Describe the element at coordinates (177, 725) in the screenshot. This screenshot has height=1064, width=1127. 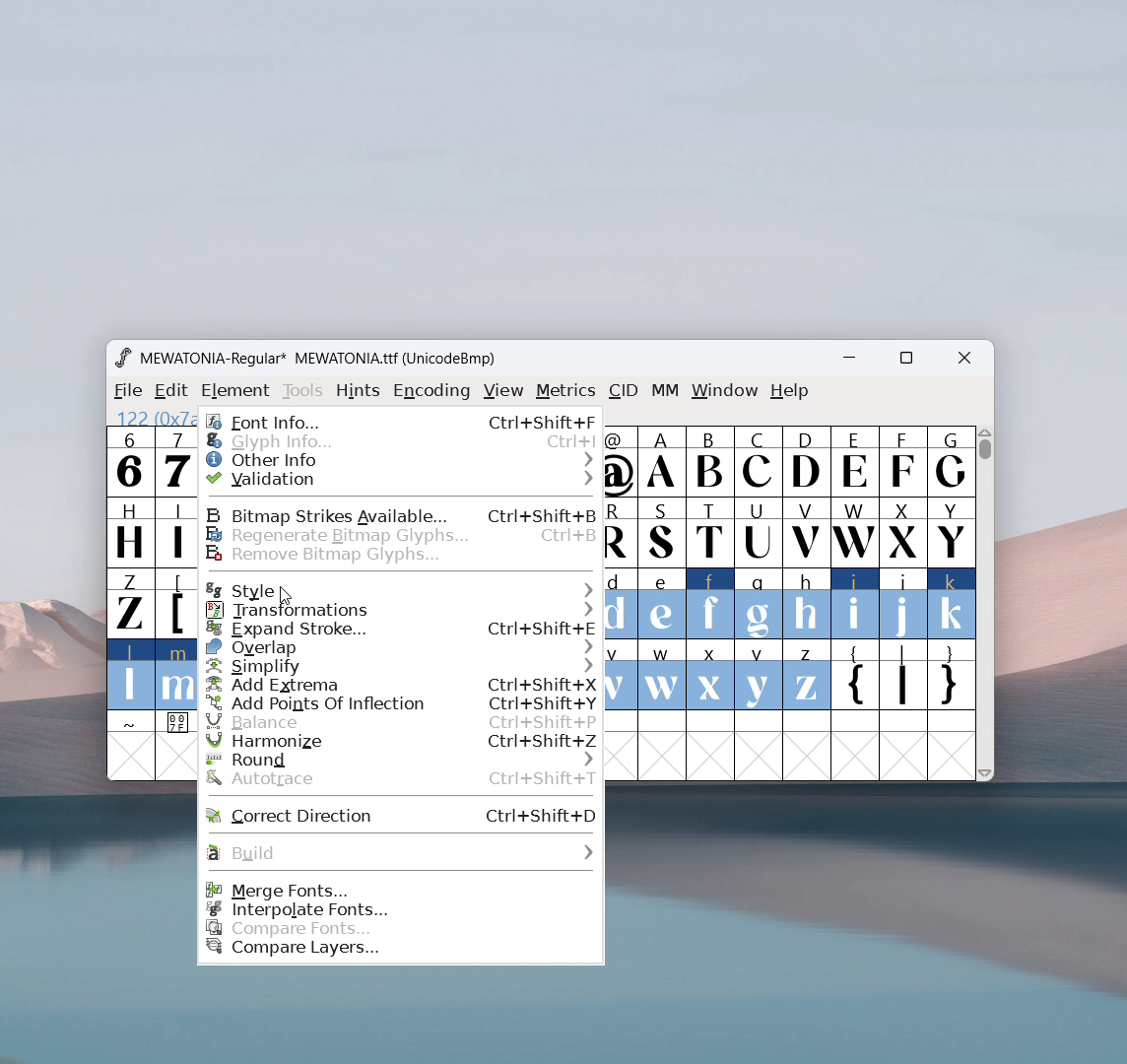
I see `0 0 7 F` at that location.